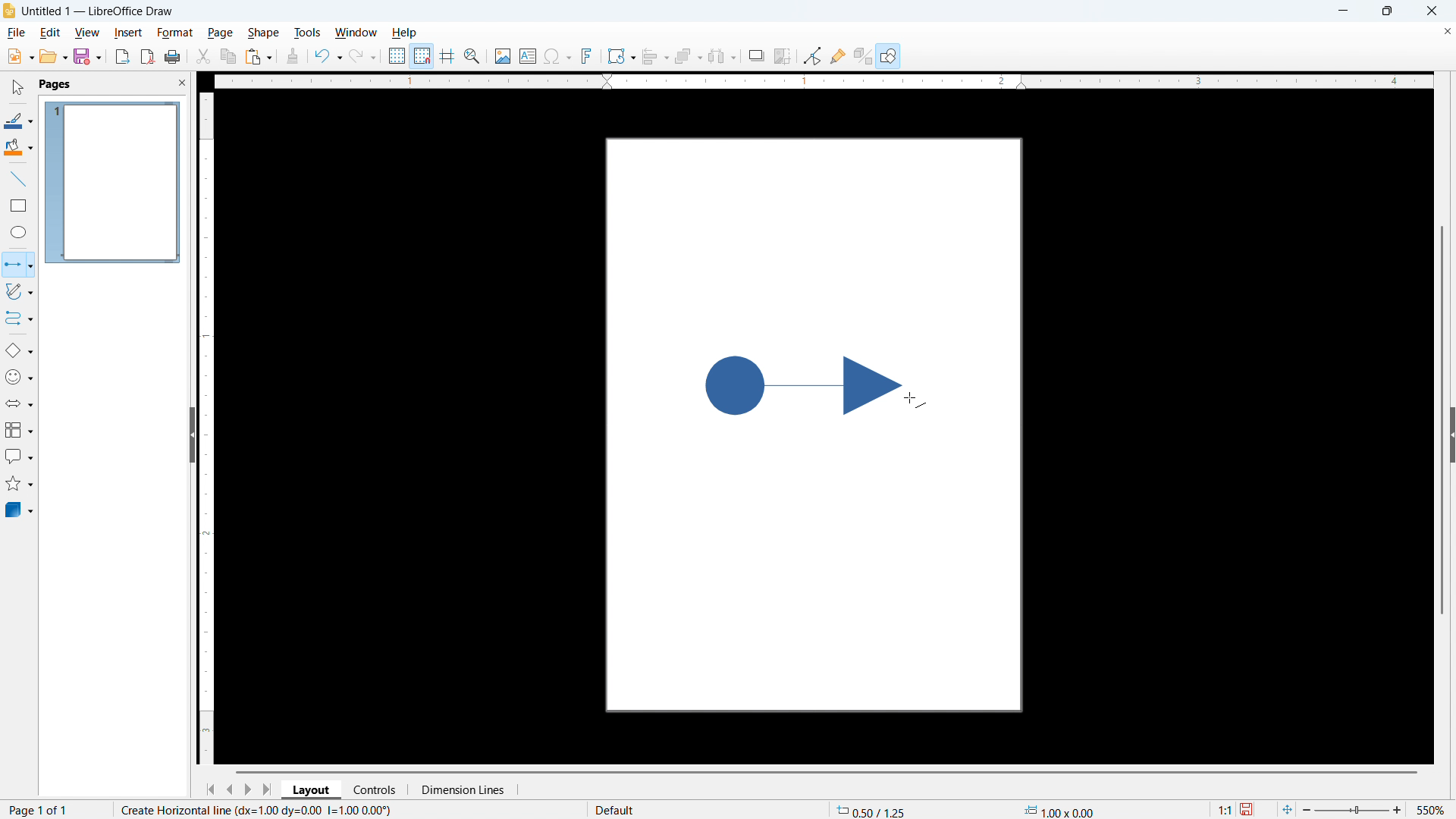 Image resolution: width=1456 pixels, height=819 pixels. Describe the element at coordinates (19, 147) in the screenshot. I see `Background colour ` at that location.